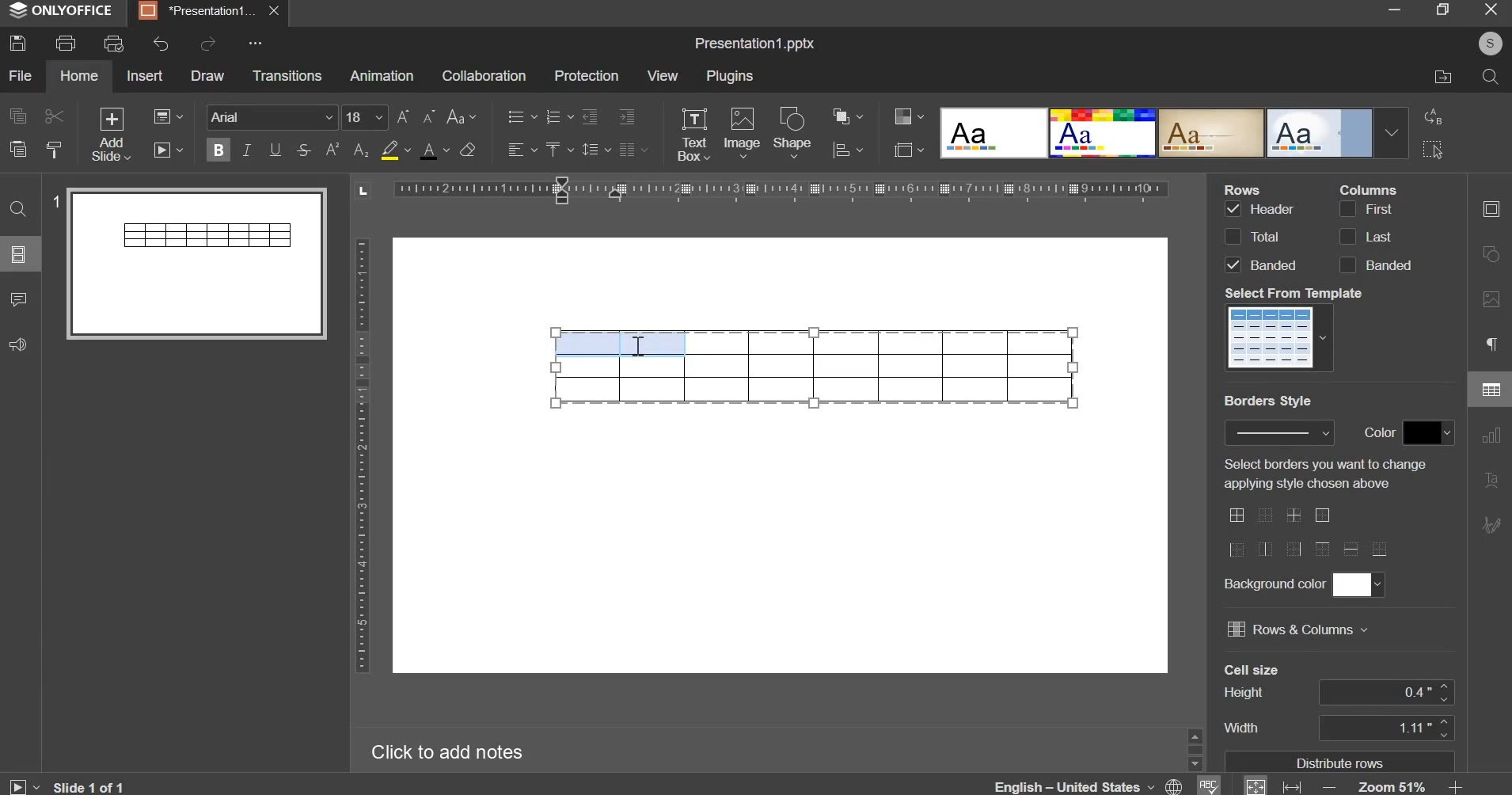 The width and height of the screenshot is (1512, 795). I want to click on vertical alignment, so click(557, 149).